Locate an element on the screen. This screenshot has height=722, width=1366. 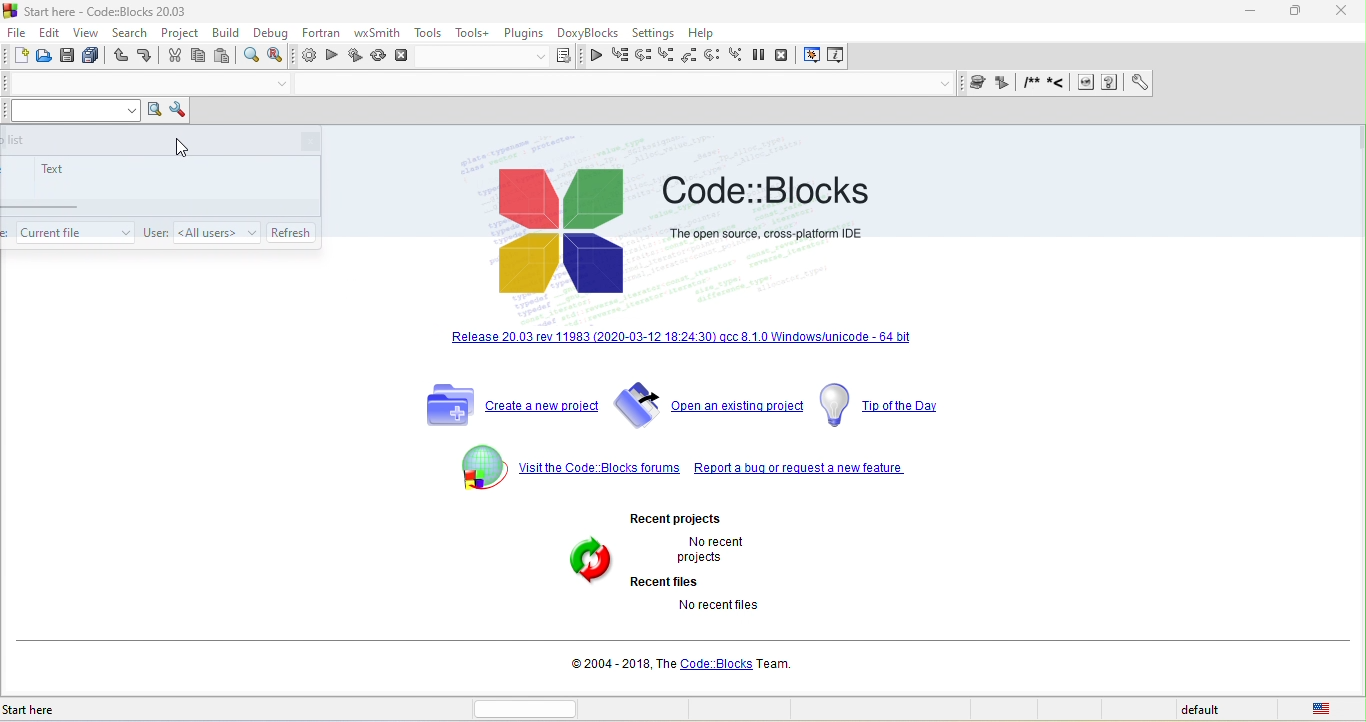
cut is located at coordinates (172, 58).